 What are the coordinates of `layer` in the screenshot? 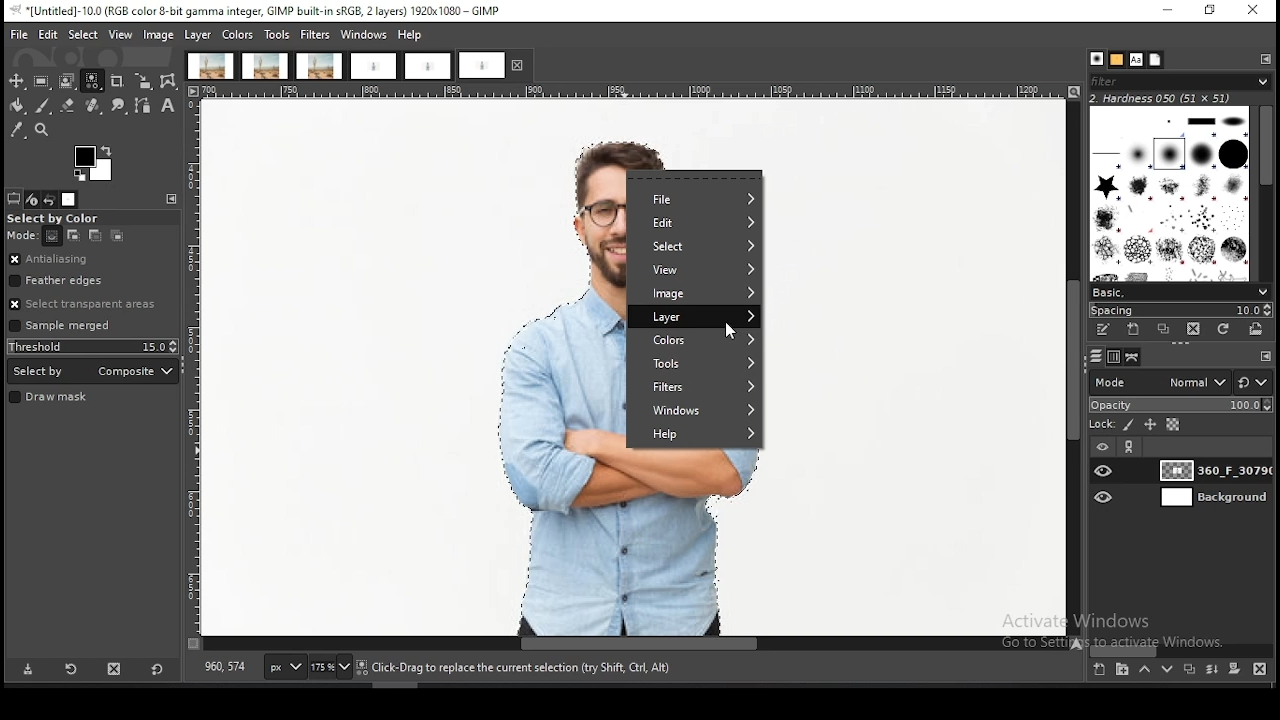 It's located at (1212, 497).